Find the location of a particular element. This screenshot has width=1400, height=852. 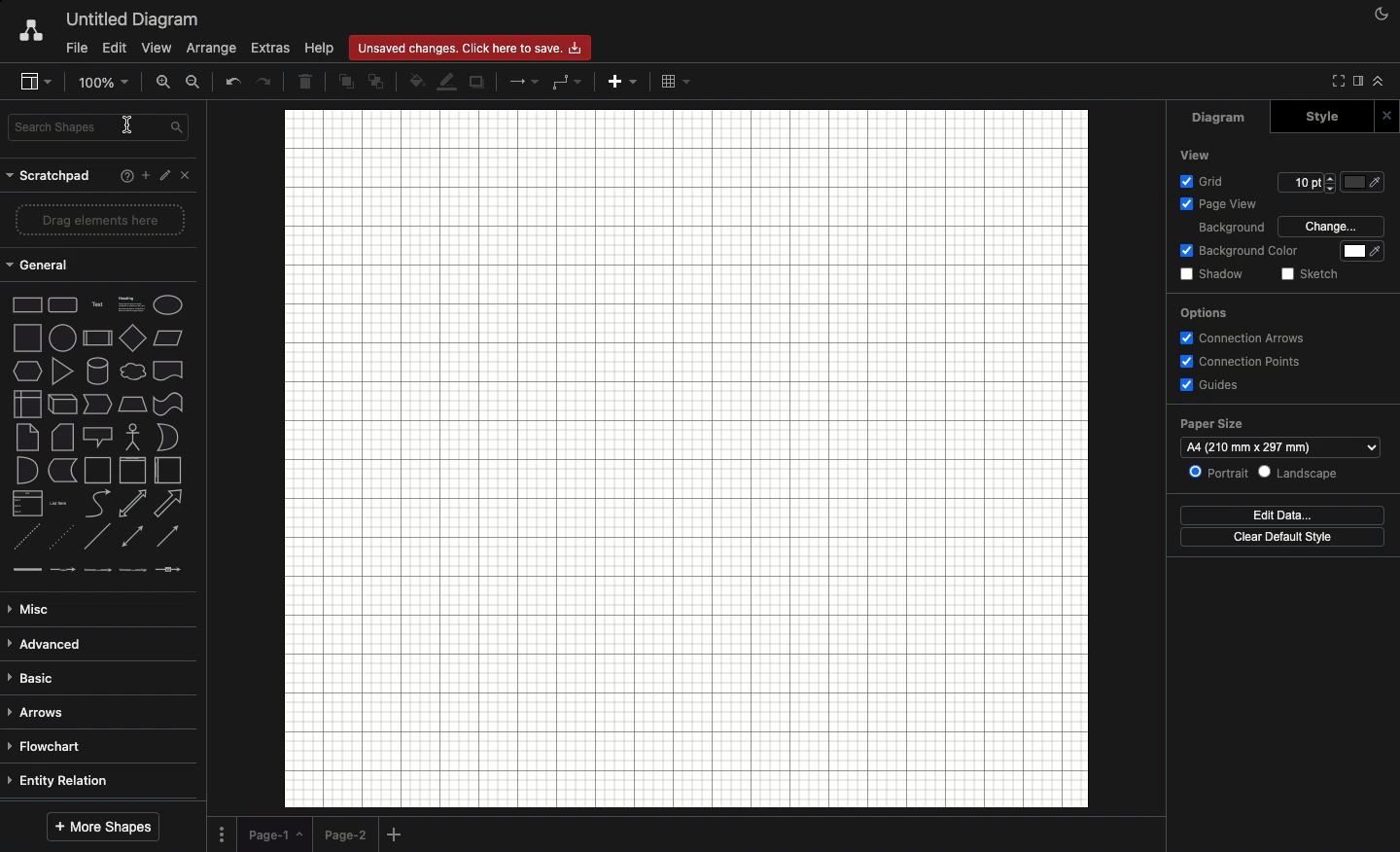

Zoom out is located at coordinates (194, 82).